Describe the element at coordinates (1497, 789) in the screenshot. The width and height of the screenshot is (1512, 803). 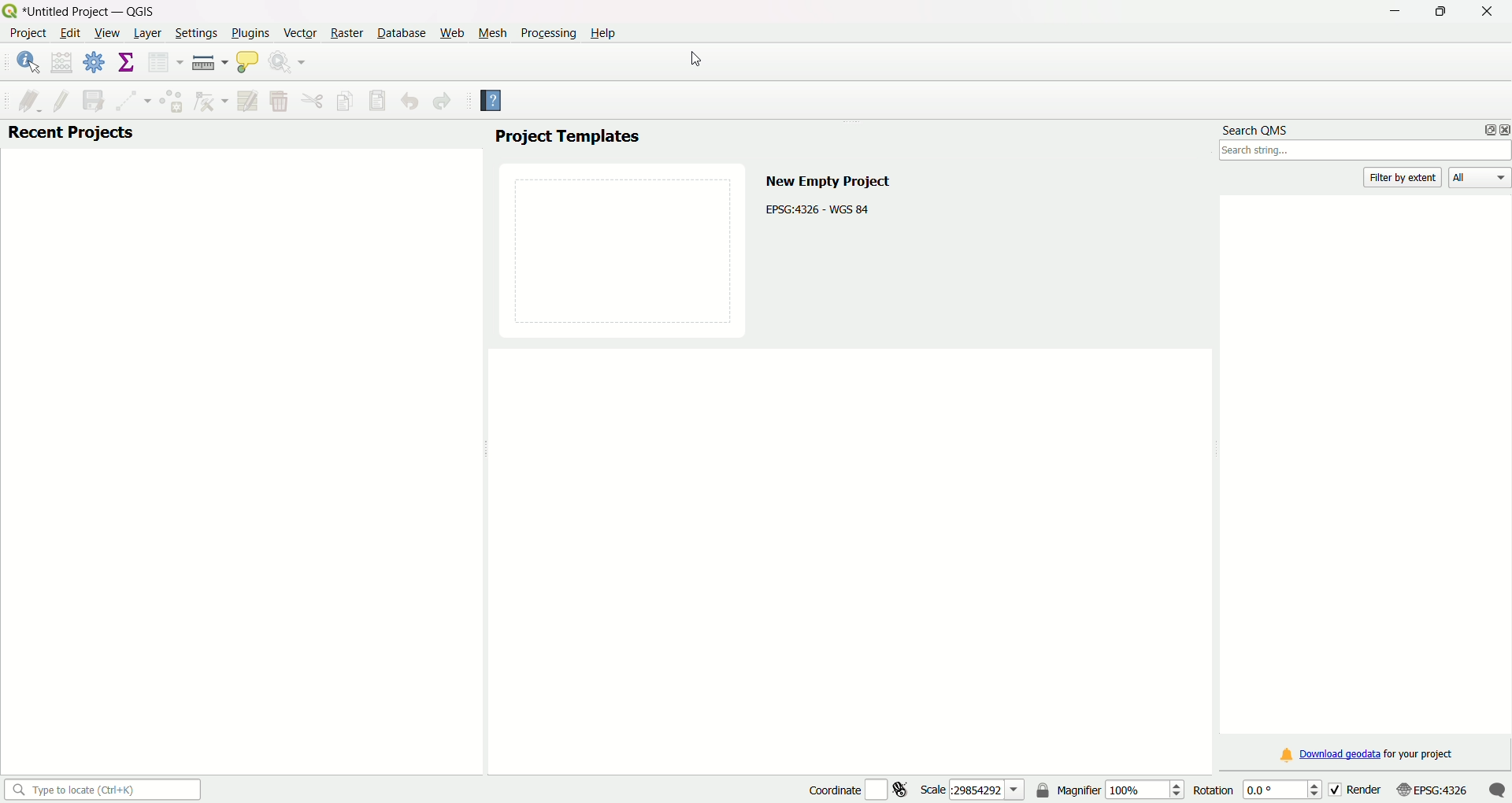
I see `message` at that location.